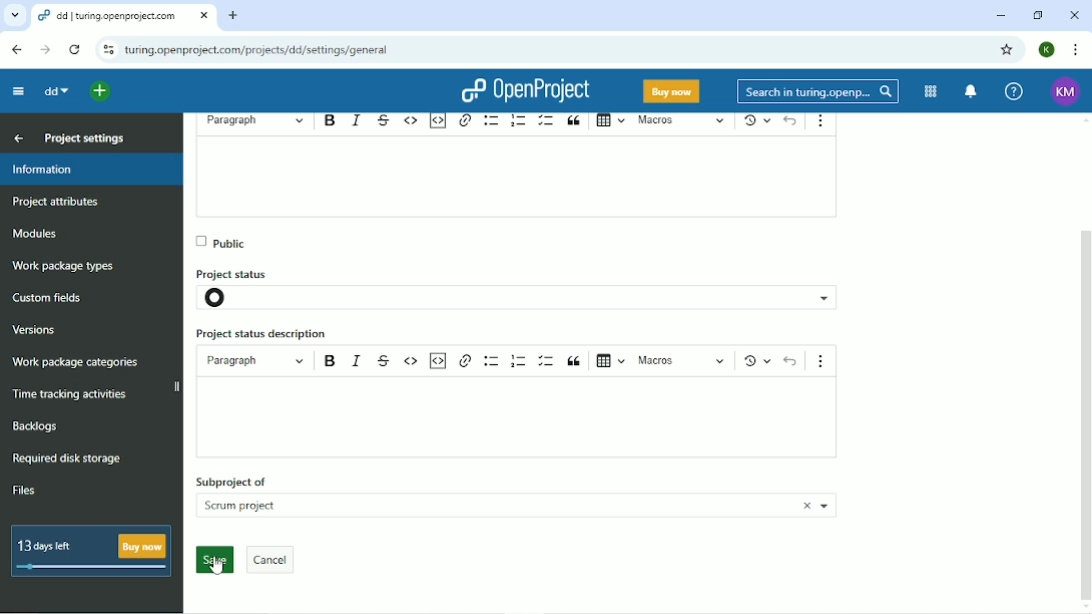 This screenshot has height=614, width=1092. I want to click on Insert code snippet, so click(438, 121).